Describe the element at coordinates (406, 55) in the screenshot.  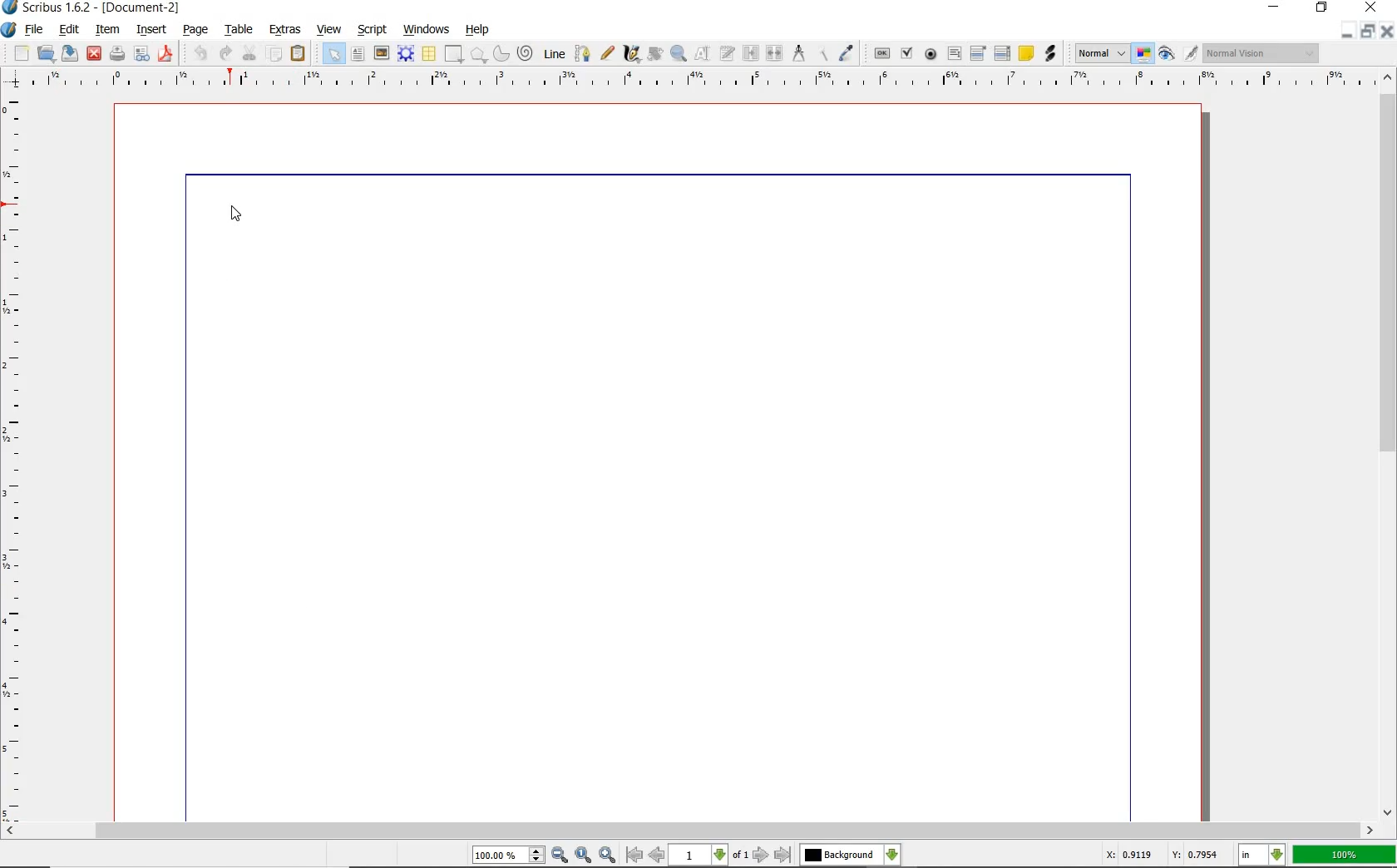
I see `render frame` at that location.